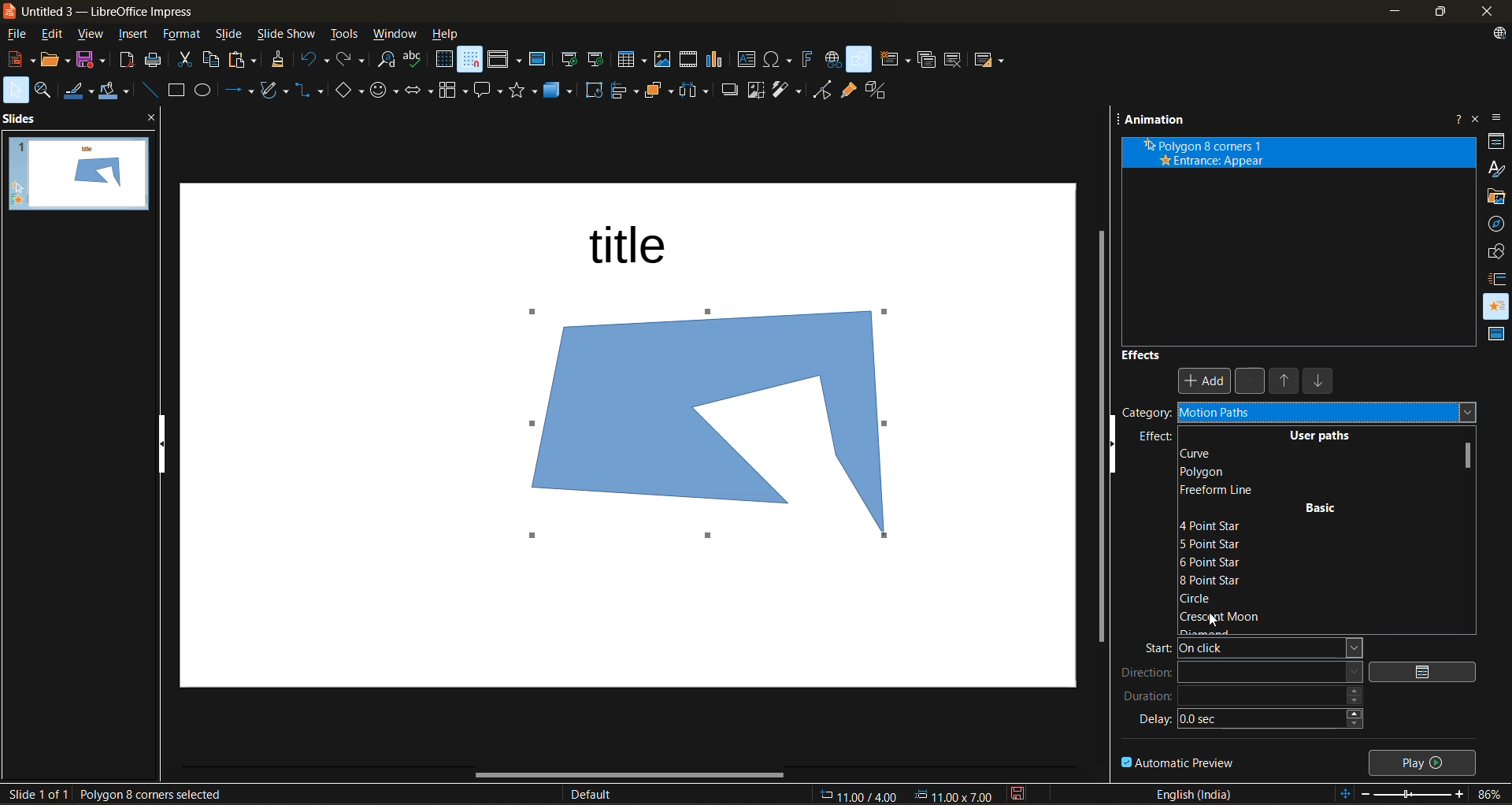 The image size is (1512, 805). Describe the element at coordinates (352, 60) in the screenshot. I see `redo` at that location.